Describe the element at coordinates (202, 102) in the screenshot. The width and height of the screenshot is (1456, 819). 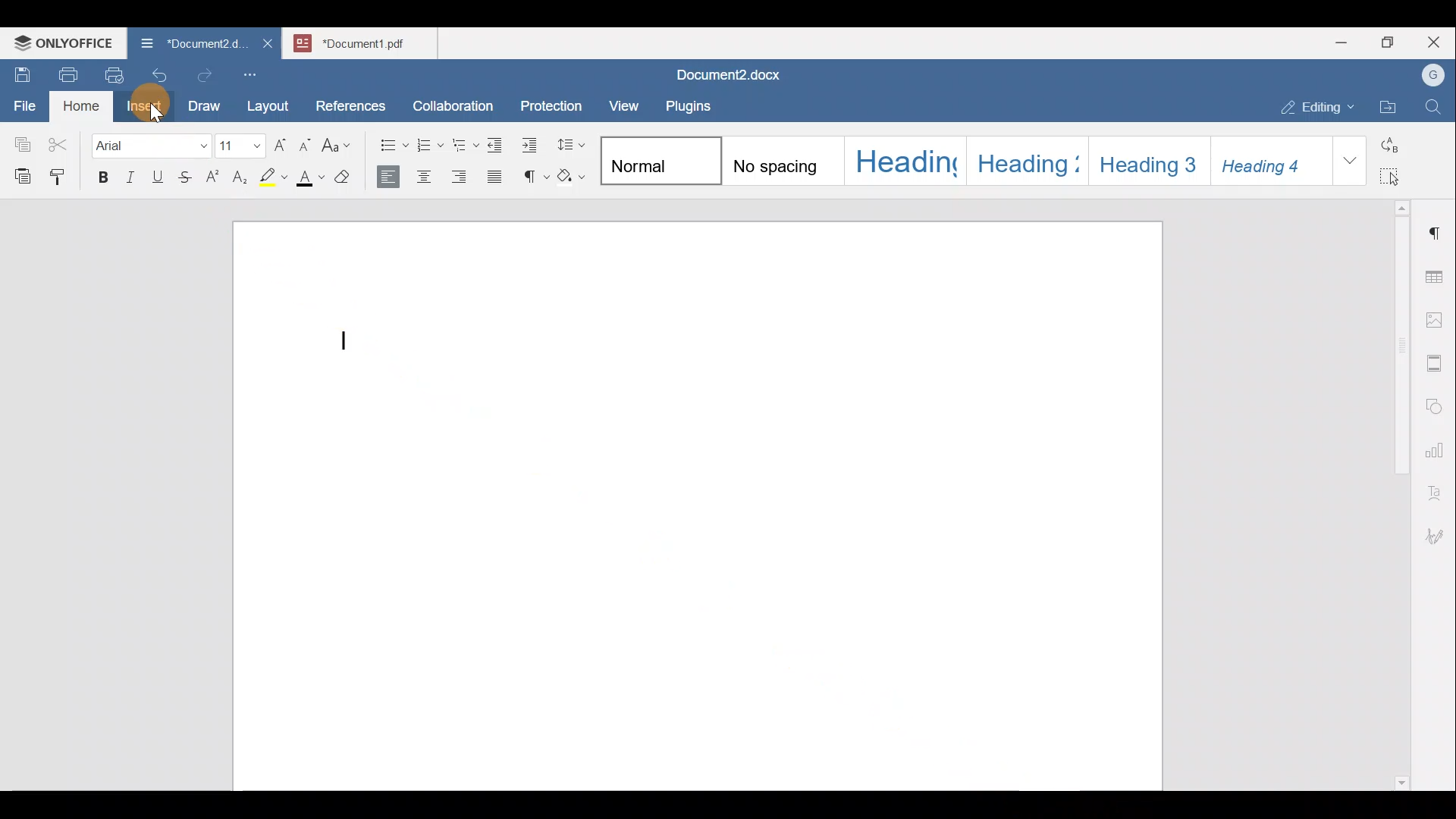
I see `Draw` at that location.